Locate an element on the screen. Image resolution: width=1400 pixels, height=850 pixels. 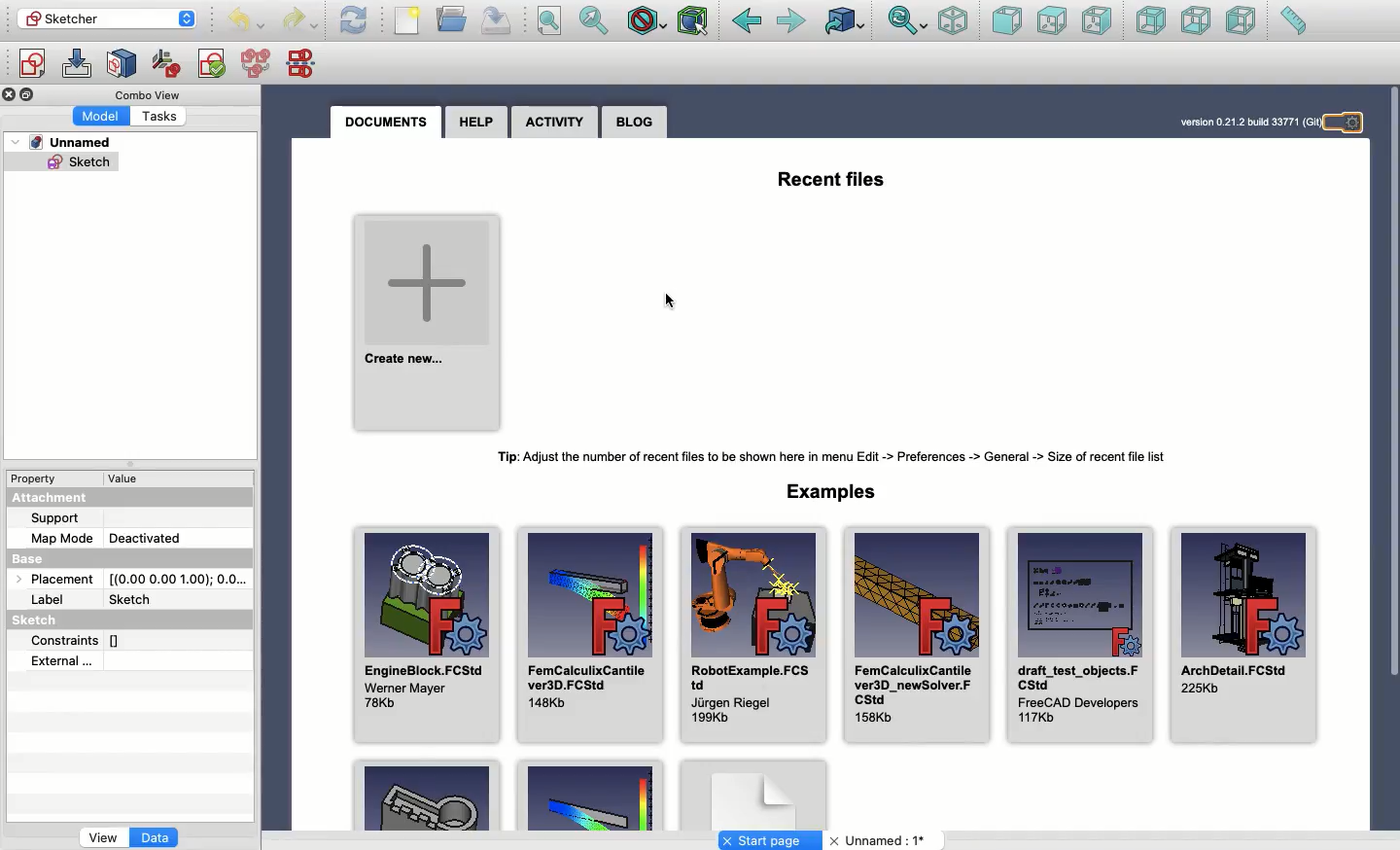
Examples is located at coordinates (831, 491).